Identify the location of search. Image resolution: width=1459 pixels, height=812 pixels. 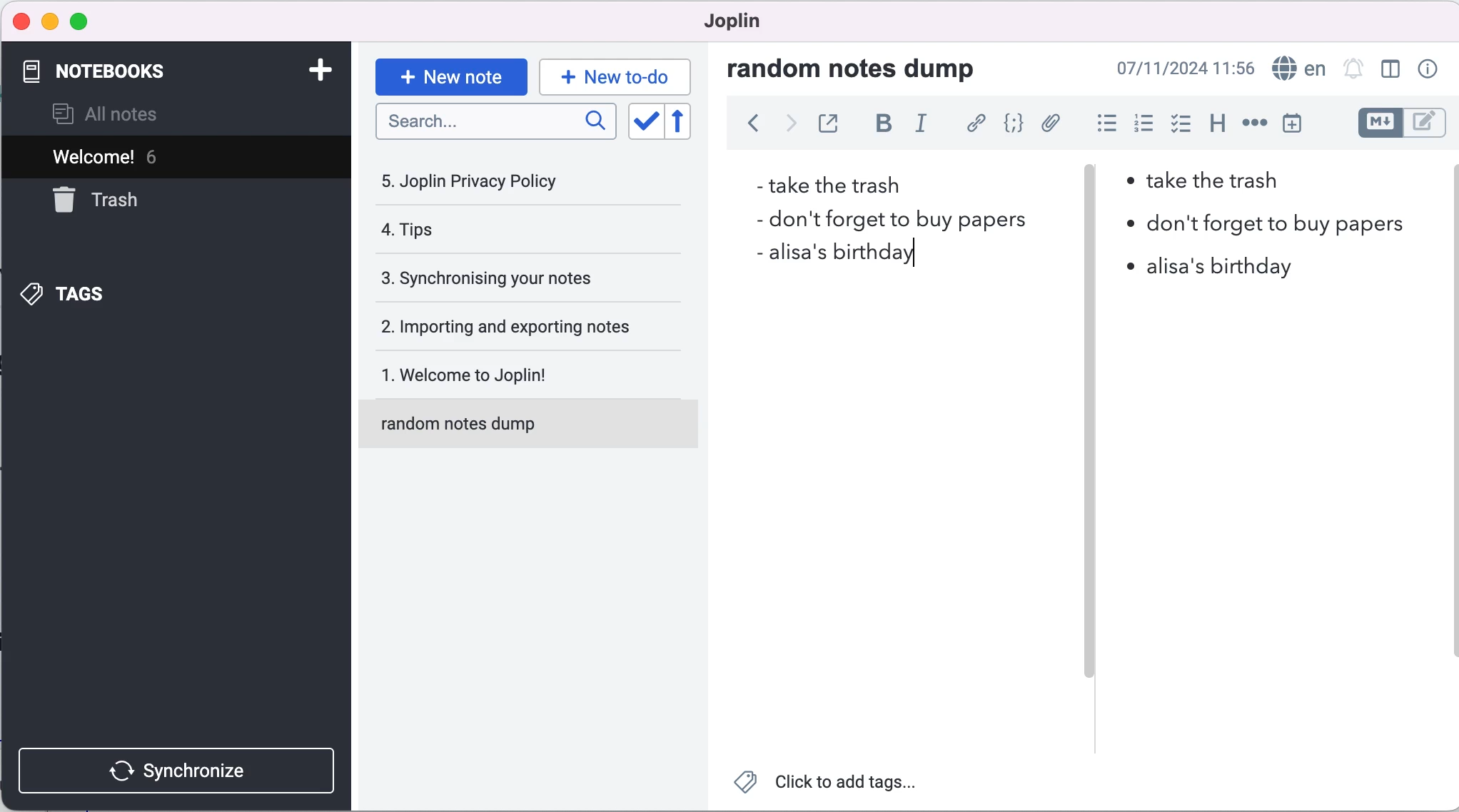
(497, 126).